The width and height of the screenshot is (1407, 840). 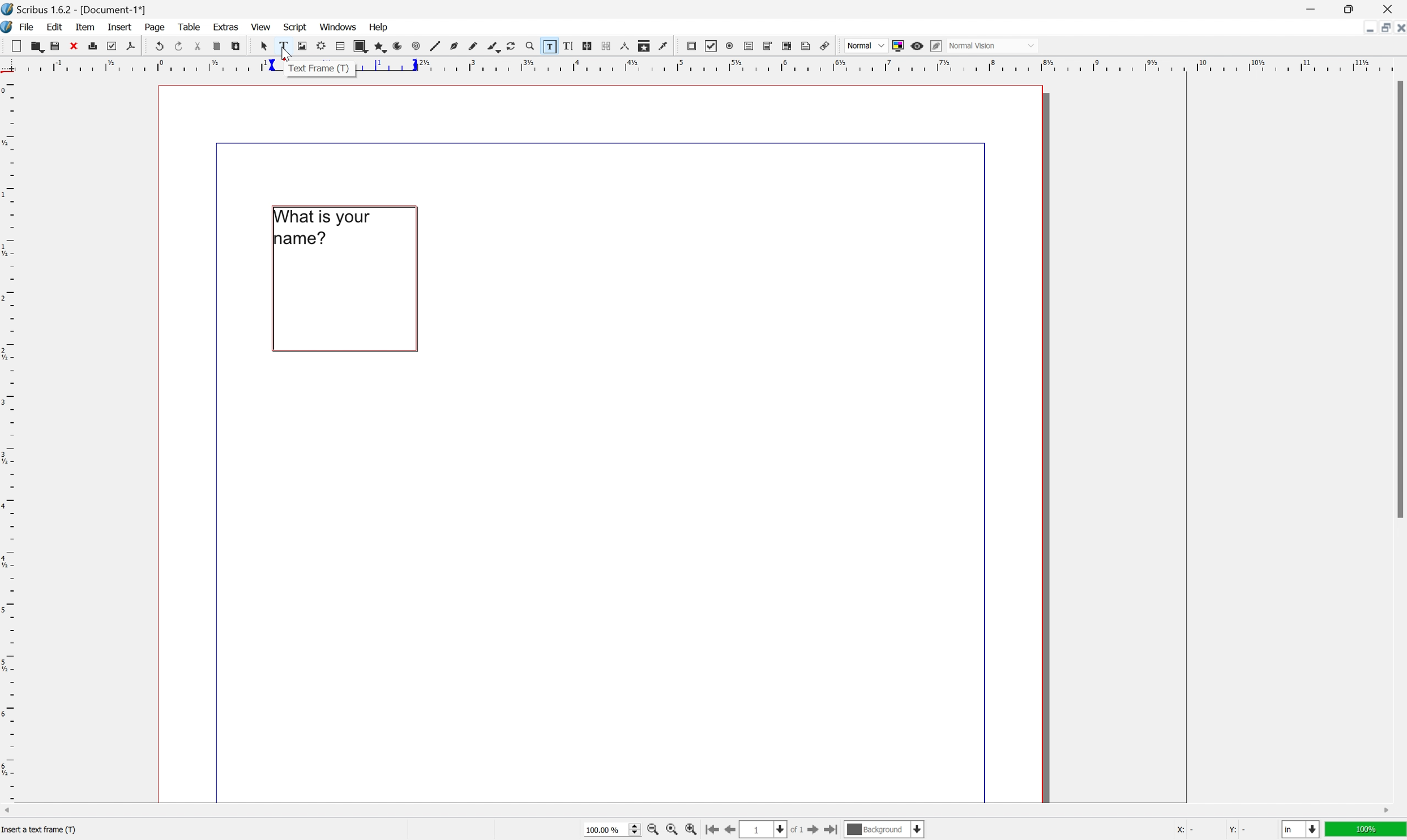 I want to click on view, so click(x=261, y=28).